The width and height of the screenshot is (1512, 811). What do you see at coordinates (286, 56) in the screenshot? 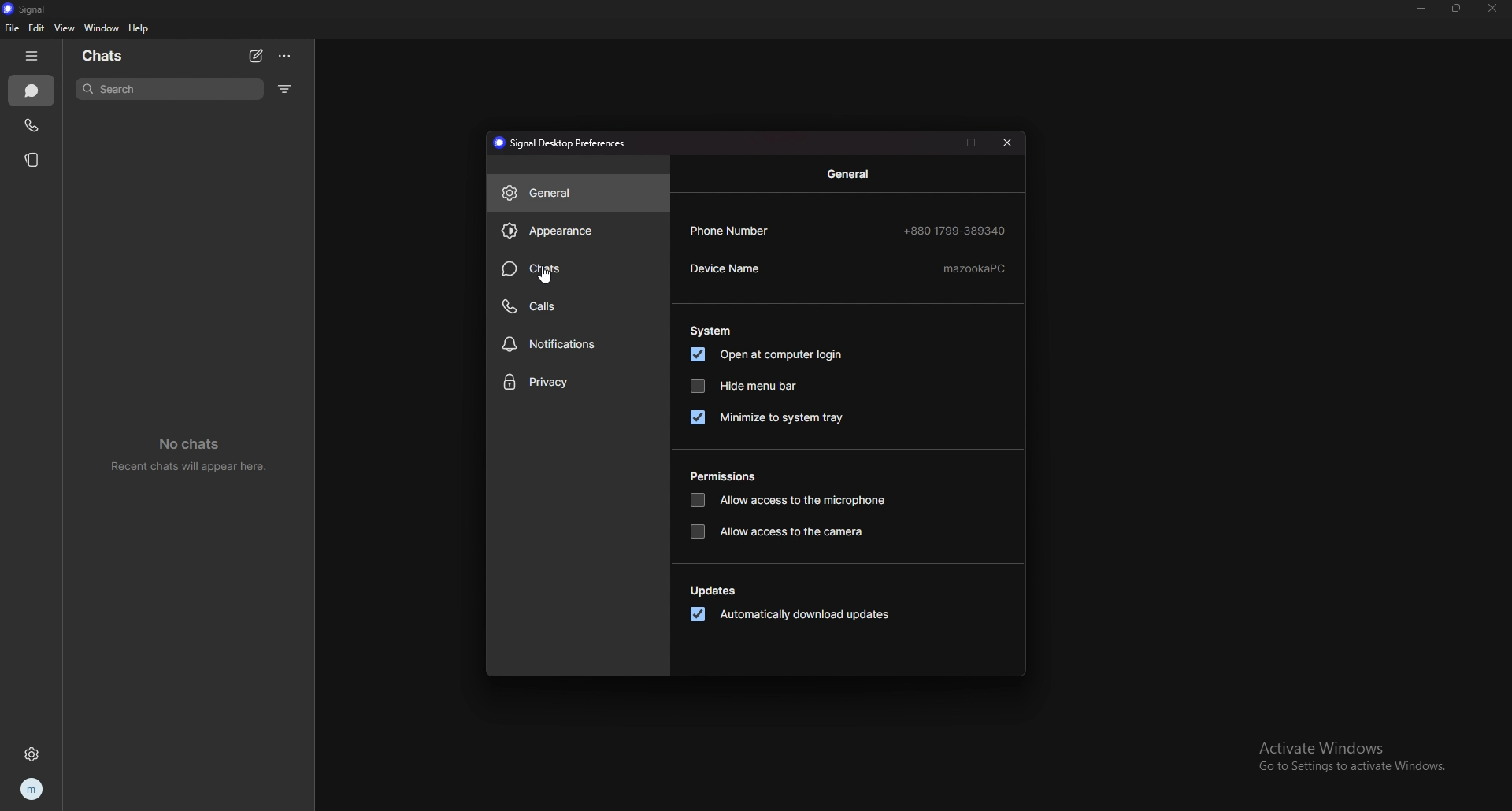
I see `options` at bounding box center [286, 56].